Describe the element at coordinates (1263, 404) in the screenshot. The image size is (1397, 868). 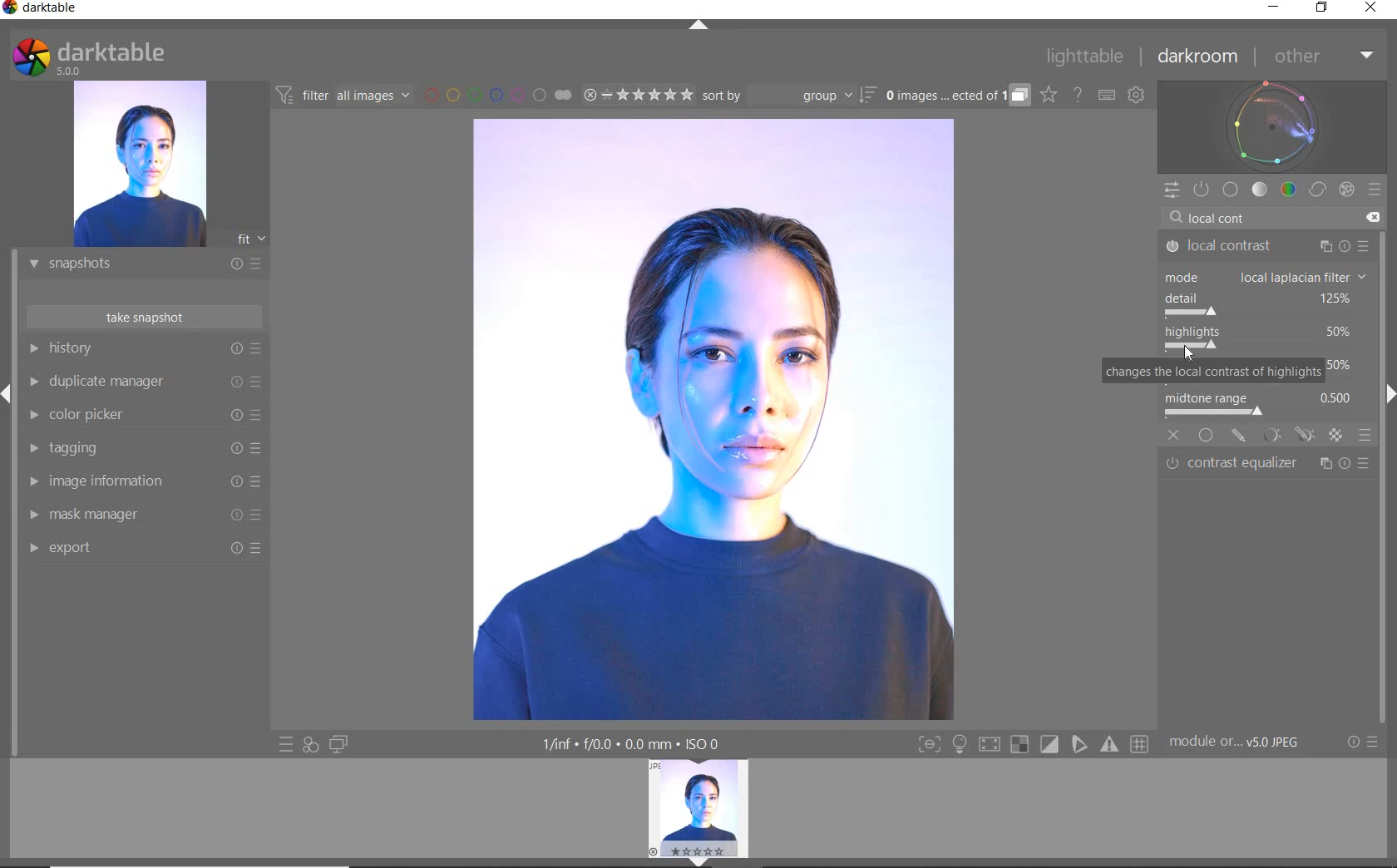
I see `midtone range` at that location.